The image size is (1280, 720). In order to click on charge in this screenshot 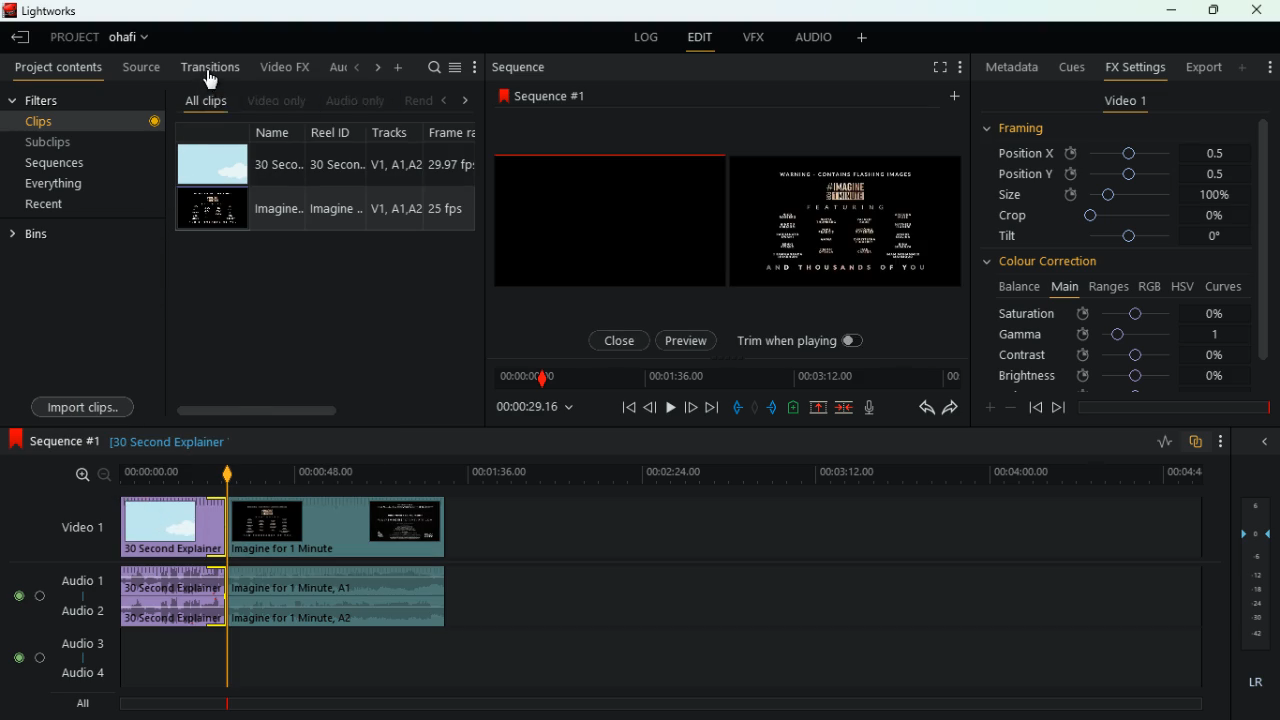, I will do `click(794, 408)`.